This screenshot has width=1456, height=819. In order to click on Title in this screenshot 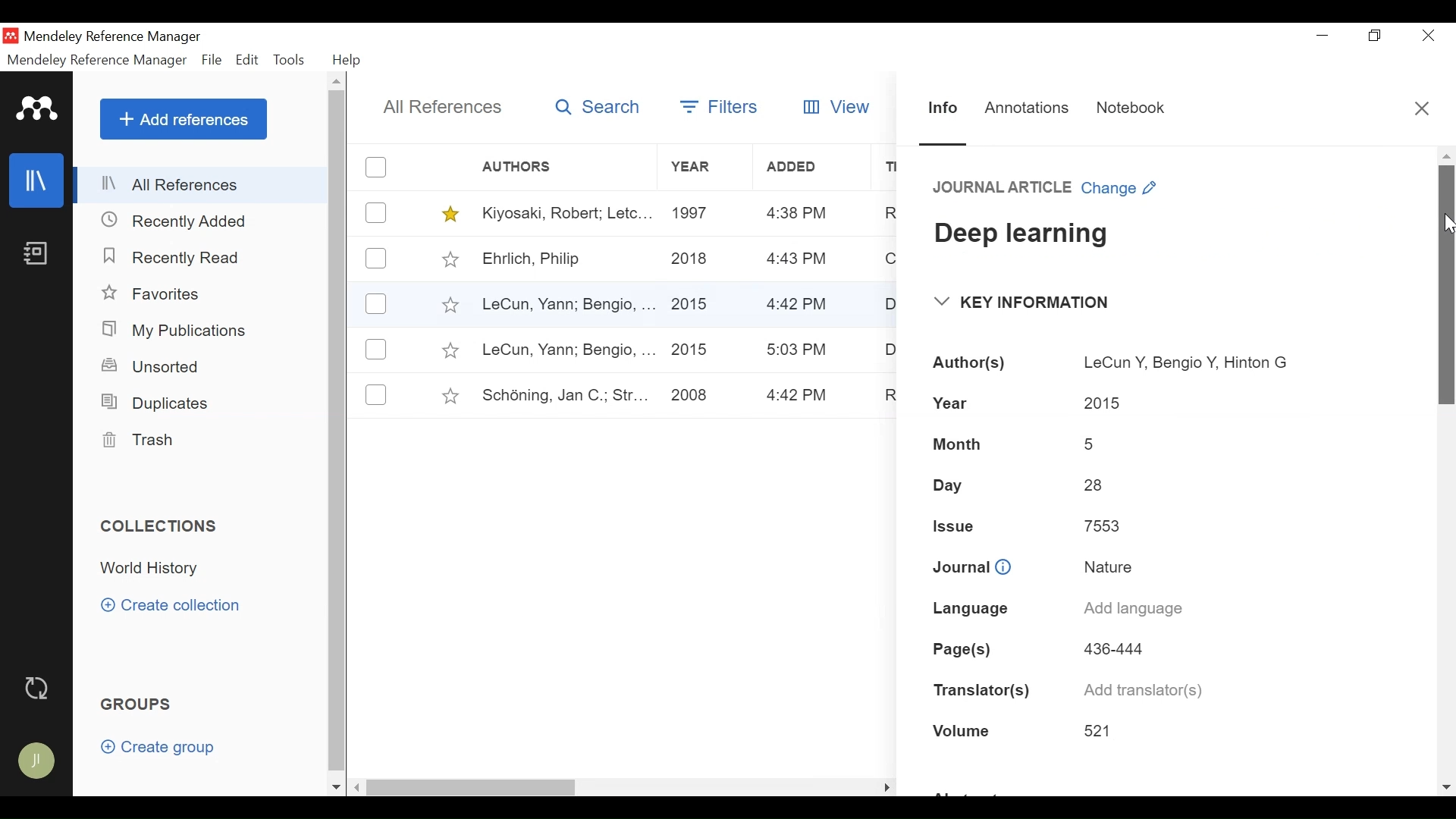, I will do `click(1027, 239)`.